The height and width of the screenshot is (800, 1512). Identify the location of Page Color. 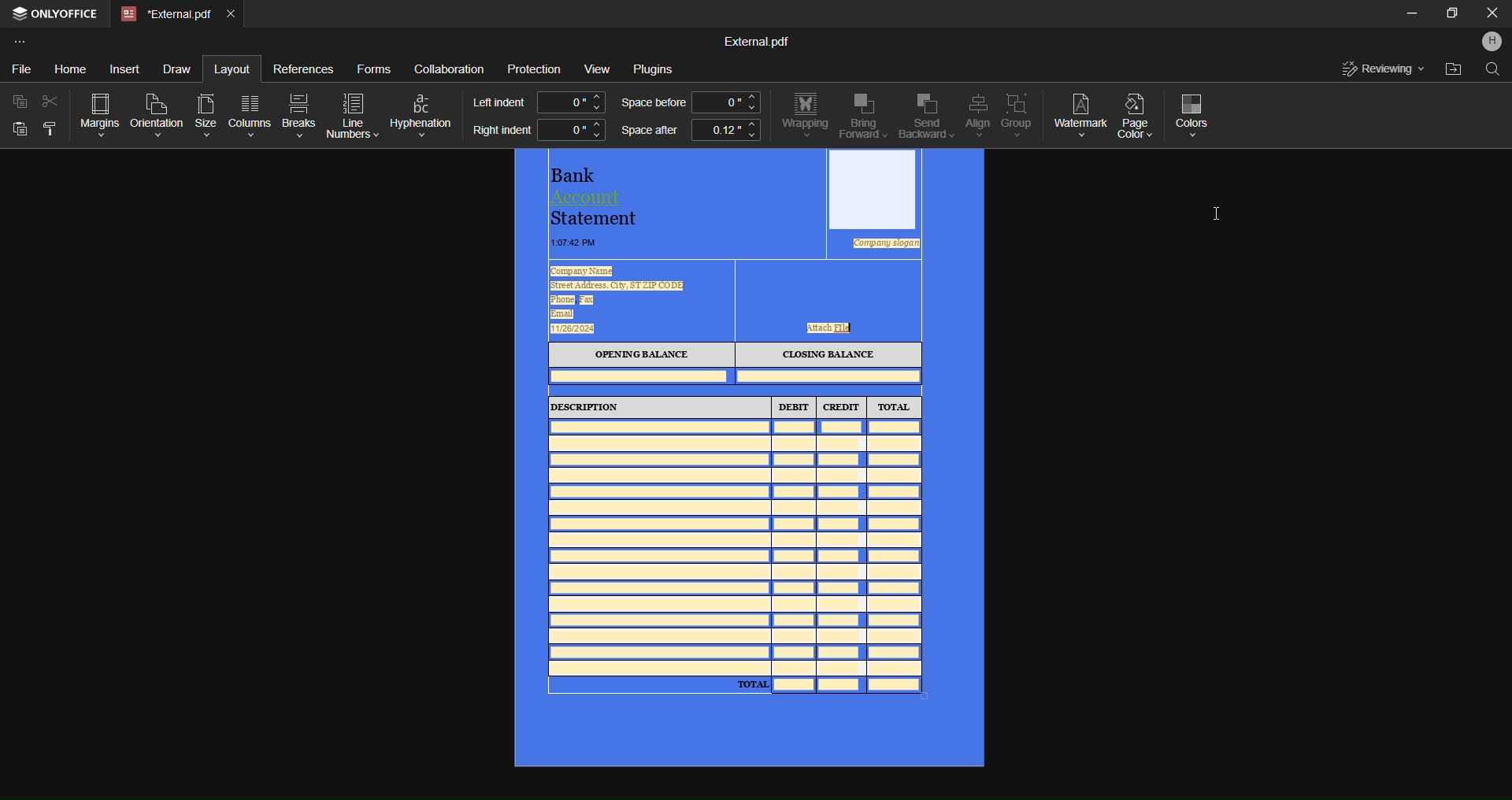
(1136, 119).